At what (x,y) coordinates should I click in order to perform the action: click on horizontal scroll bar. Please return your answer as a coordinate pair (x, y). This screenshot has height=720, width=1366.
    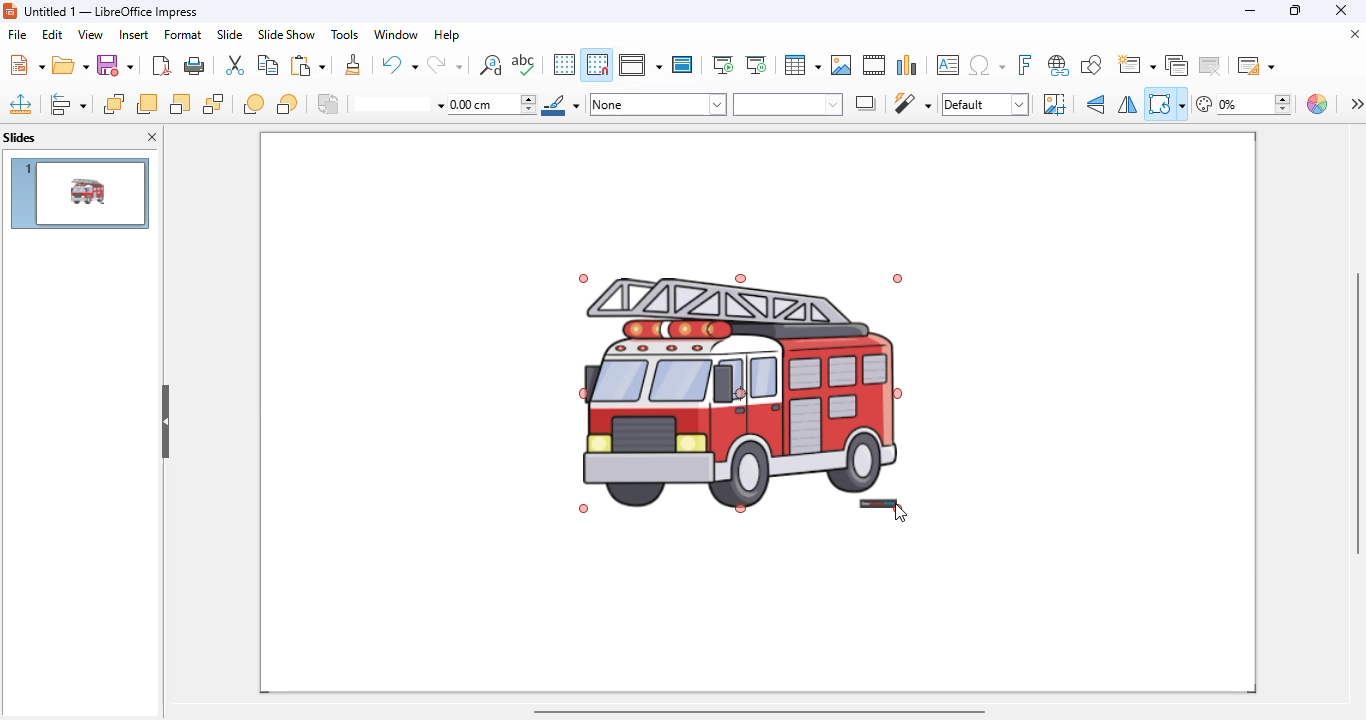
    Looking at the image, I should click on (760, 712).